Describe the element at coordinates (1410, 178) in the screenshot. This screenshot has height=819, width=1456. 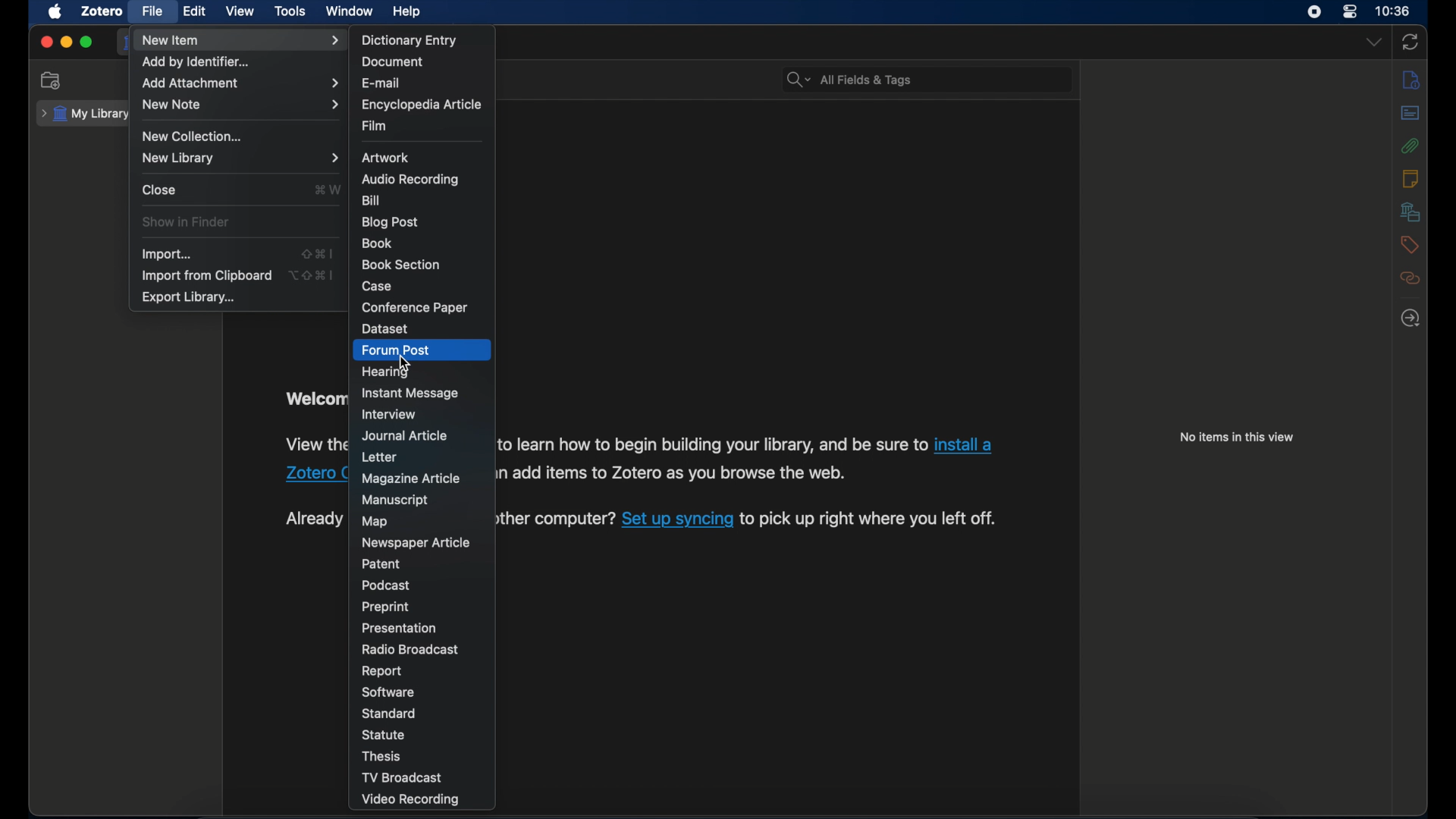
I see `notes` at that location.